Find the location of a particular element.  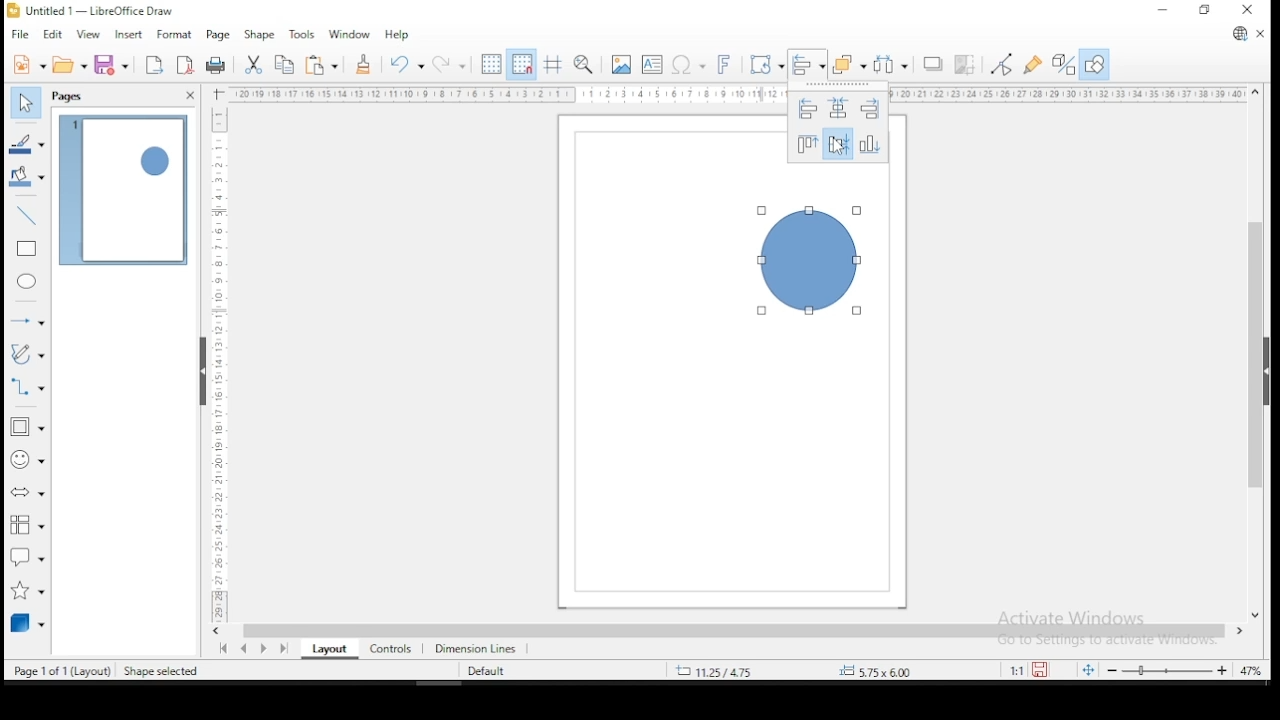

paste is located at coordinates (324, 65).